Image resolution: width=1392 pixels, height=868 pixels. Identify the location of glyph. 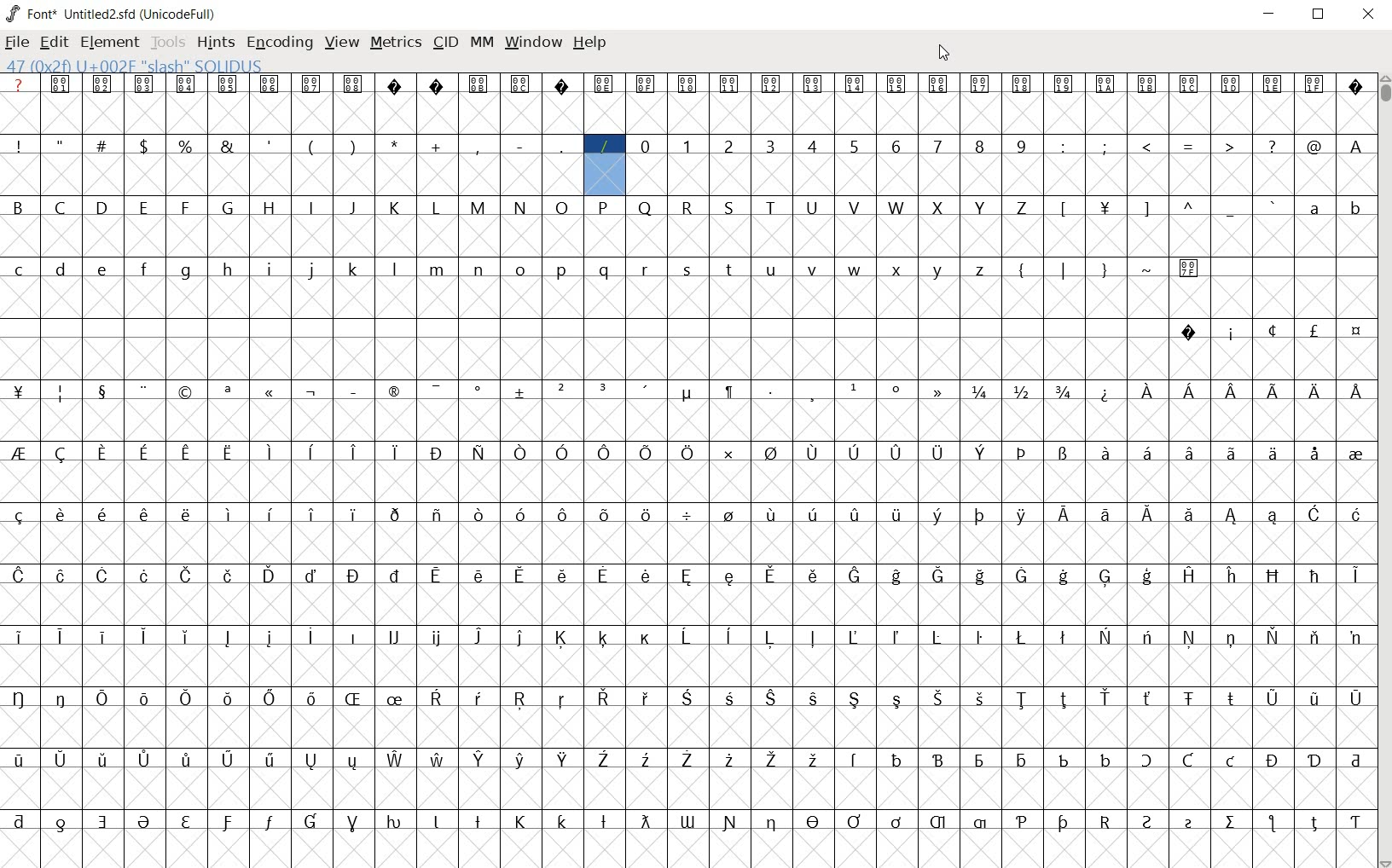
(1024, 453).